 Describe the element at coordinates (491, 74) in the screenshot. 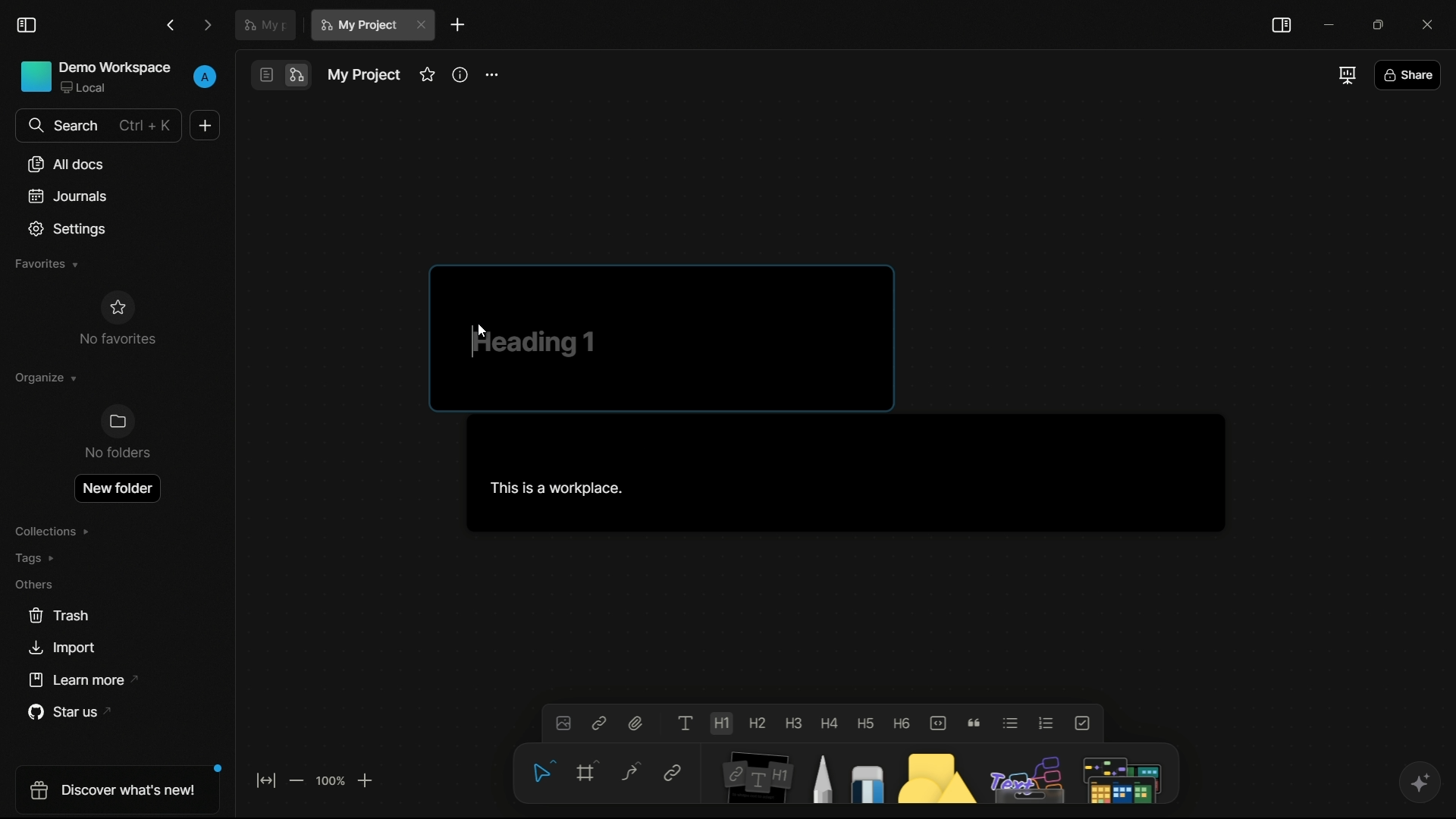

I see `more options` at that location.